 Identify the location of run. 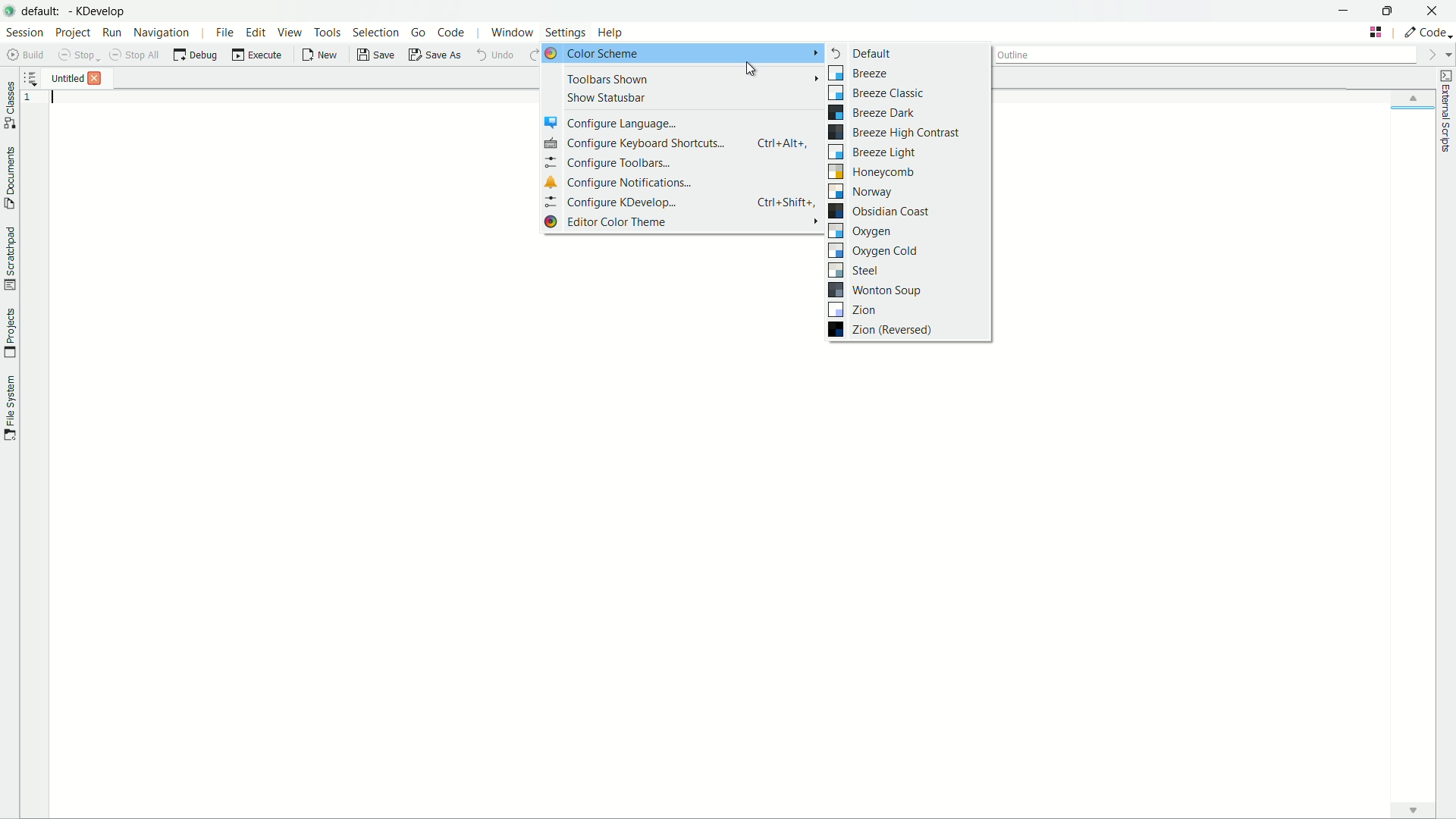
(111, 32).